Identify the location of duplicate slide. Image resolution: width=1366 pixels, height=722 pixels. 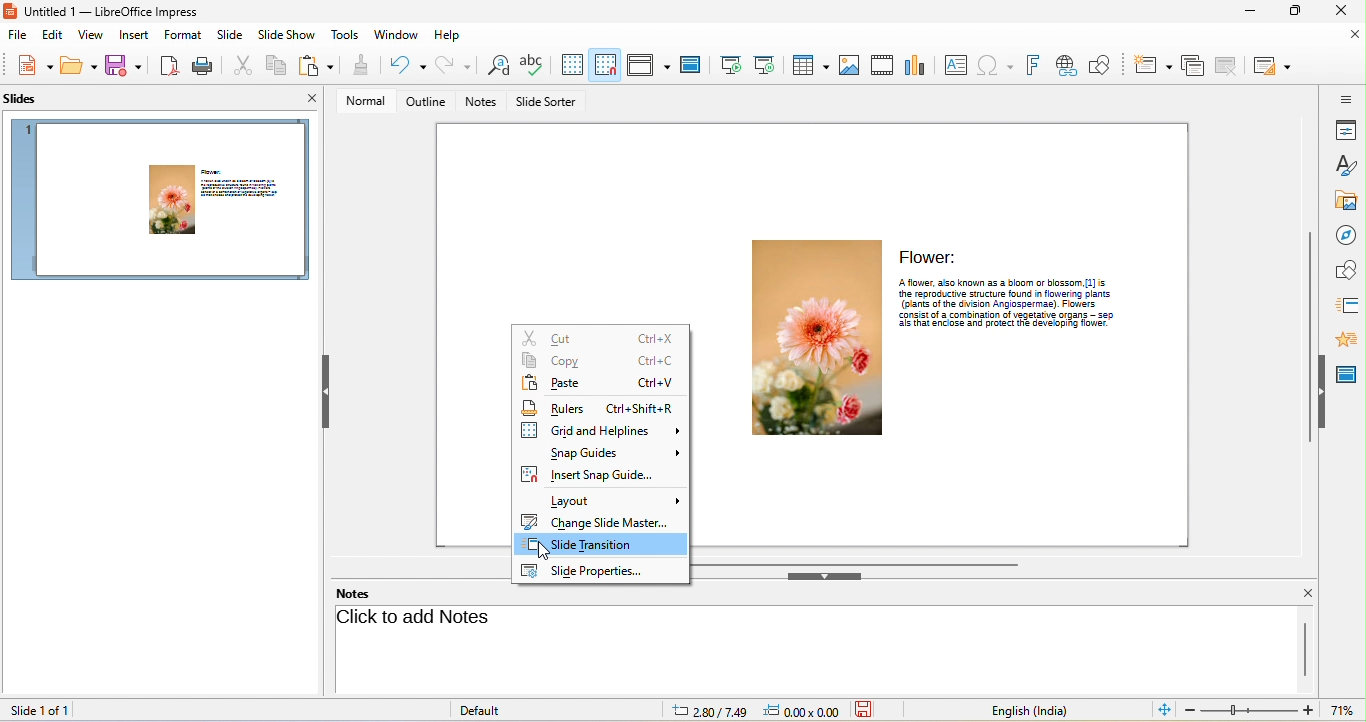
(1191, 65).